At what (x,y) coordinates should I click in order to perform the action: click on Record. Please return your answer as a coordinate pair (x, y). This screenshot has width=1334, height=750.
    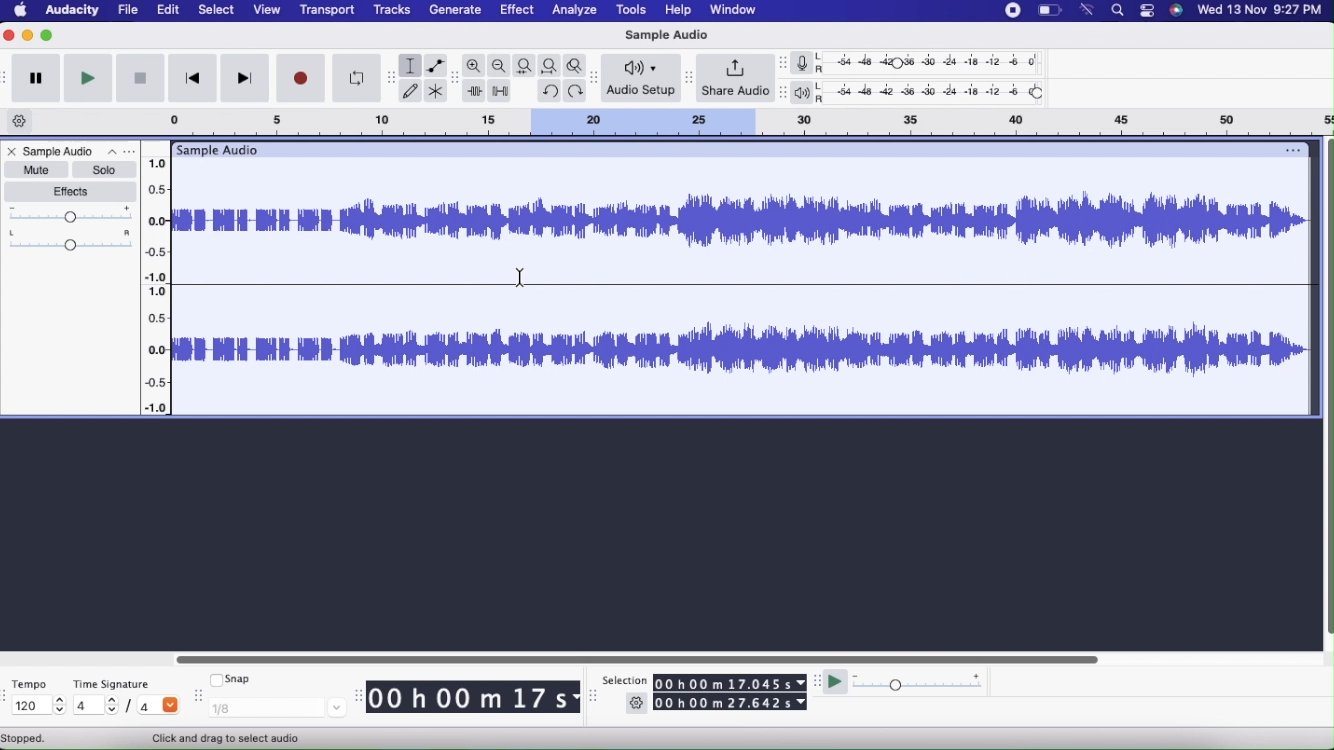
    Looking at the image, I should click on (302, 78).